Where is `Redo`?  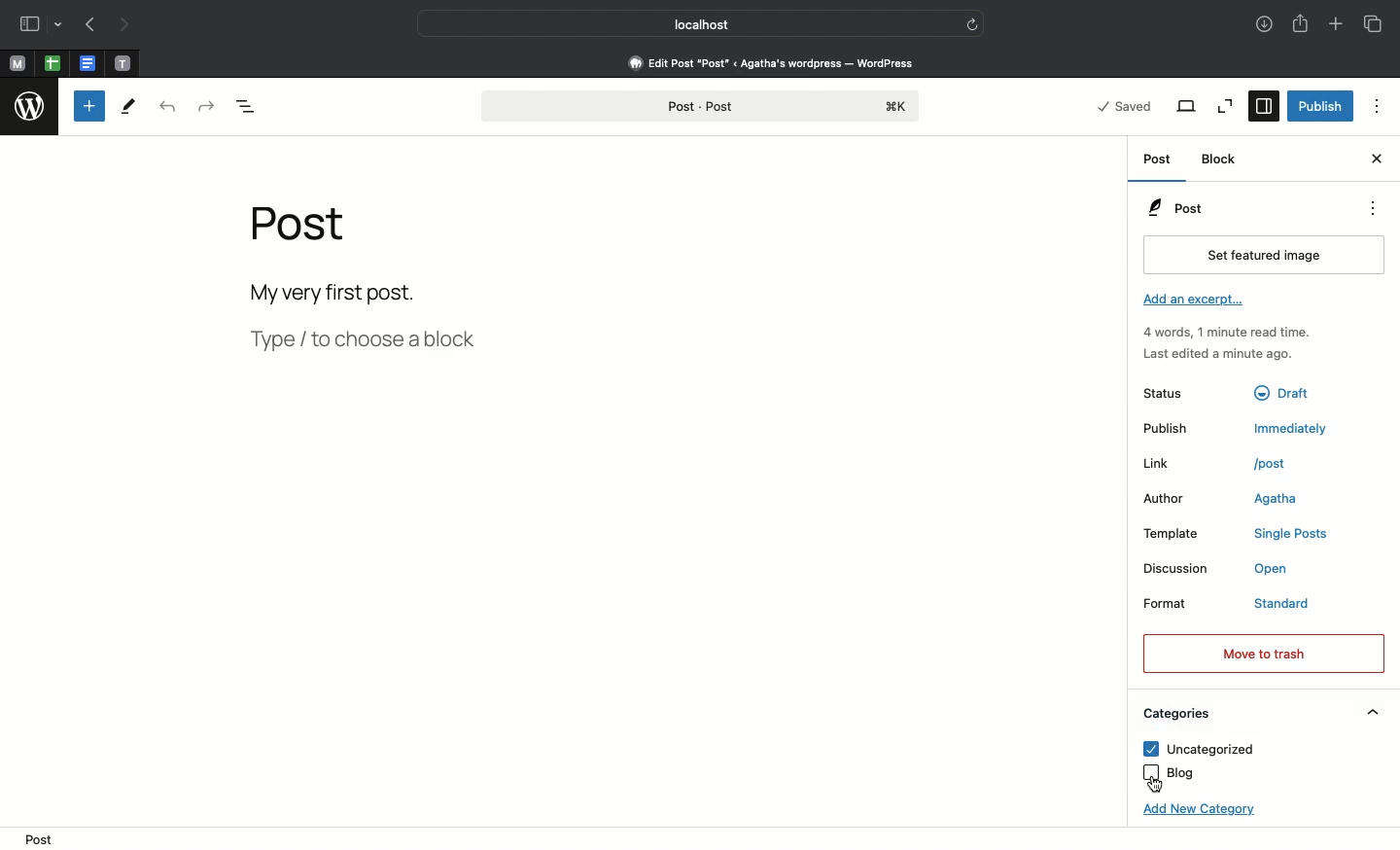 Redo is located at coordinates (207, 107).